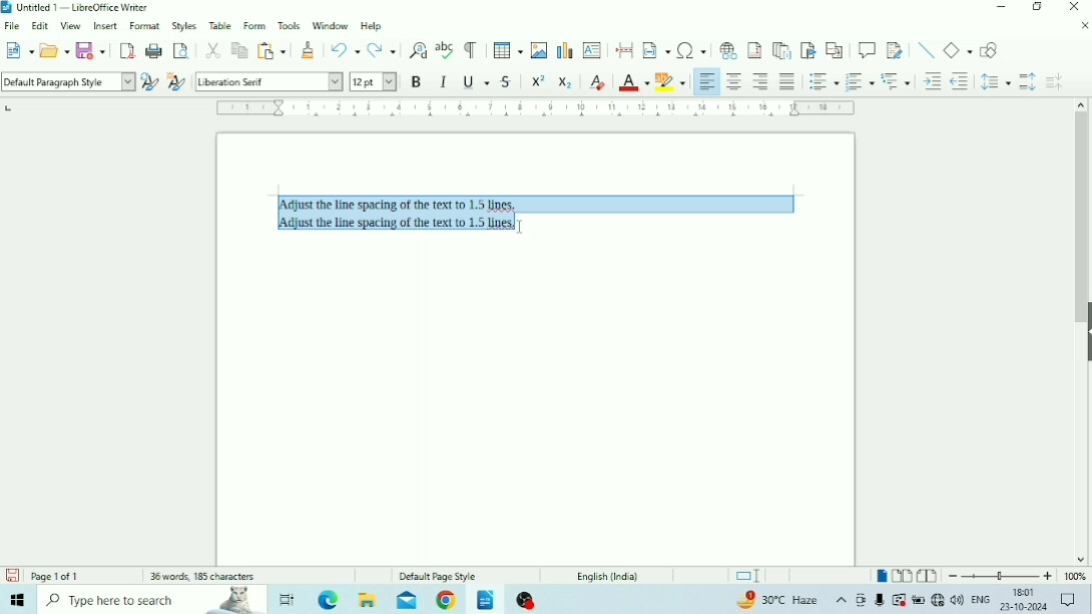  What do you see at coordinates (7, 8) in the screenshot?
I see `Logo` at bounding box center [7, 8].